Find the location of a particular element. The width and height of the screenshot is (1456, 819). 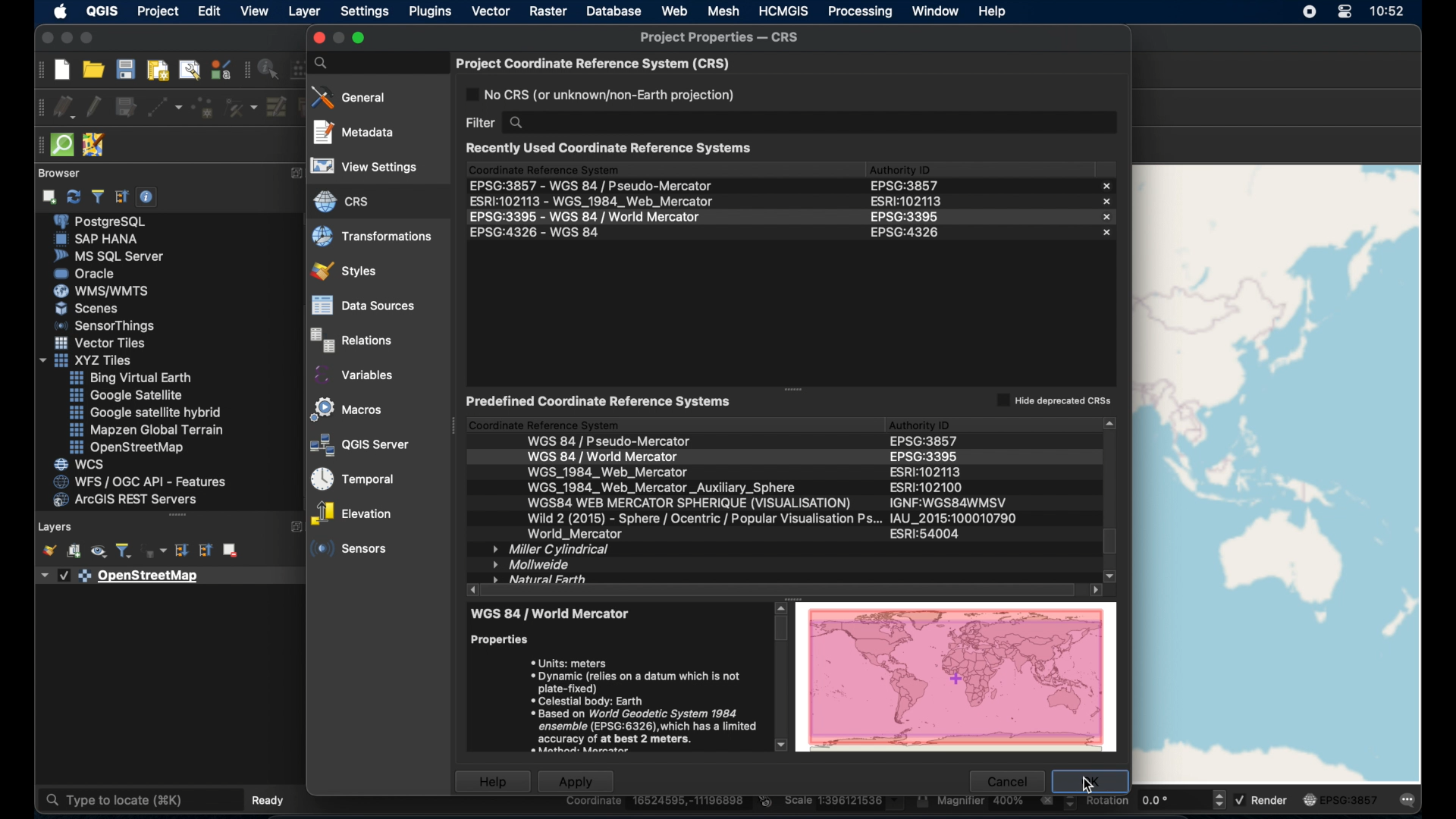

ms sql server is located at coordinates (113, 256).